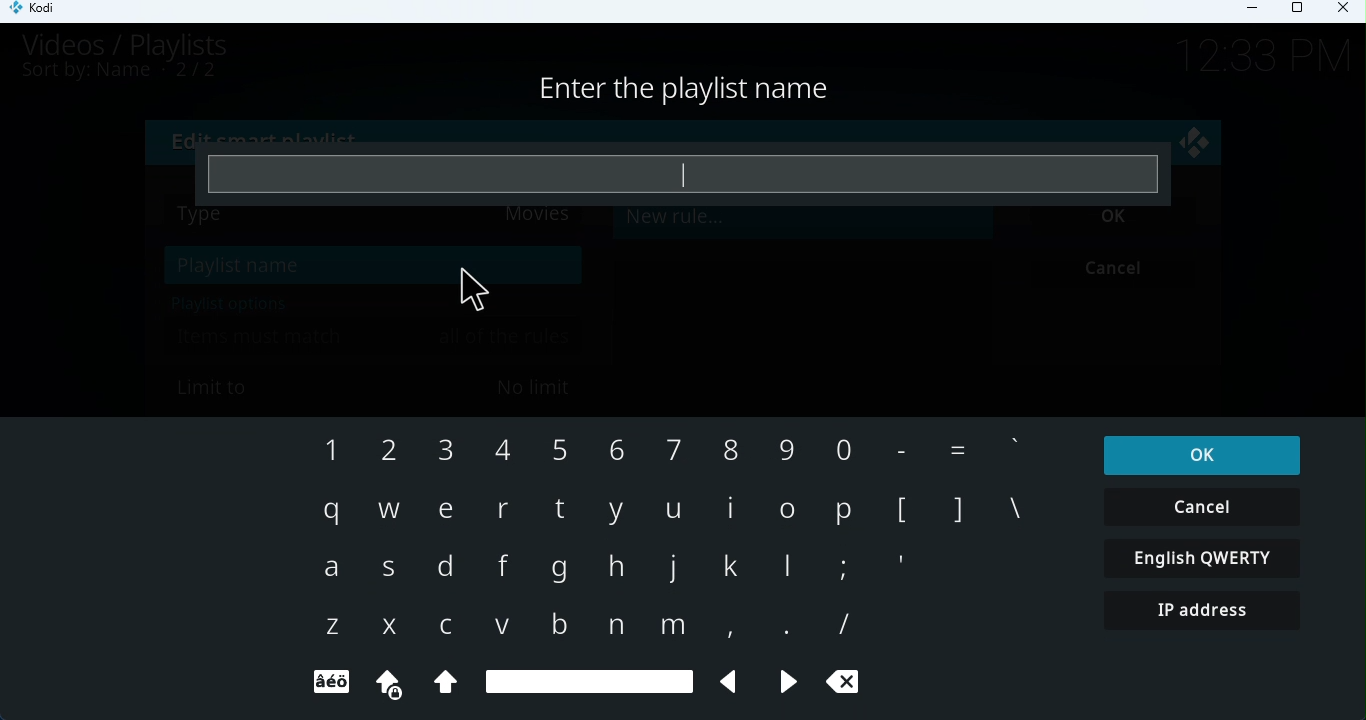 This screenshot has height=720, width=1366. What do you see at coordinates (676, 173) in the screenshot?
I see `Enter playlist name` at bounding box center [676, 173].